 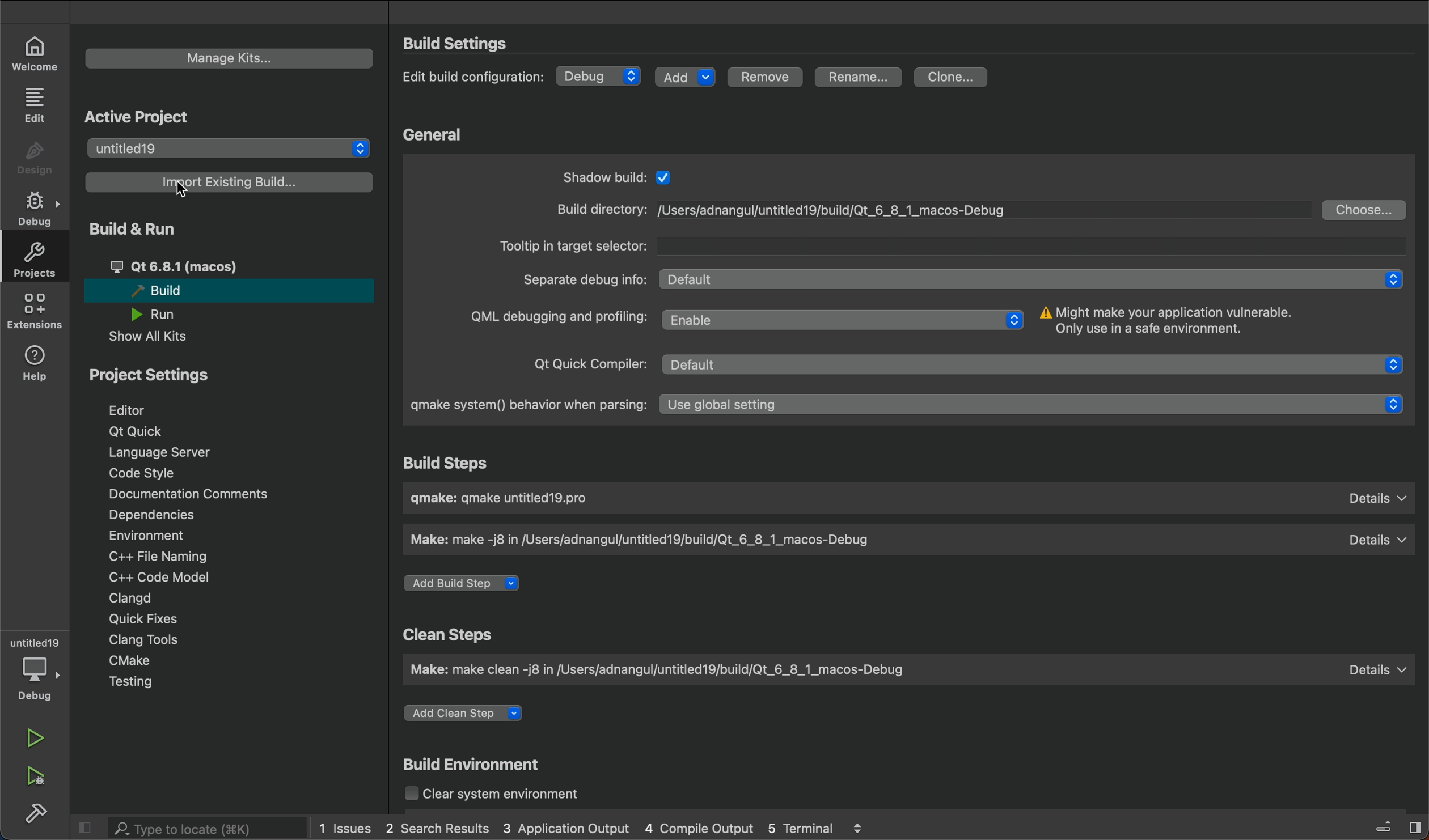 What do you see at coordinates (156, 556) in the screenshot?
I see `c++ file naming` at bounding box center [156, 556].